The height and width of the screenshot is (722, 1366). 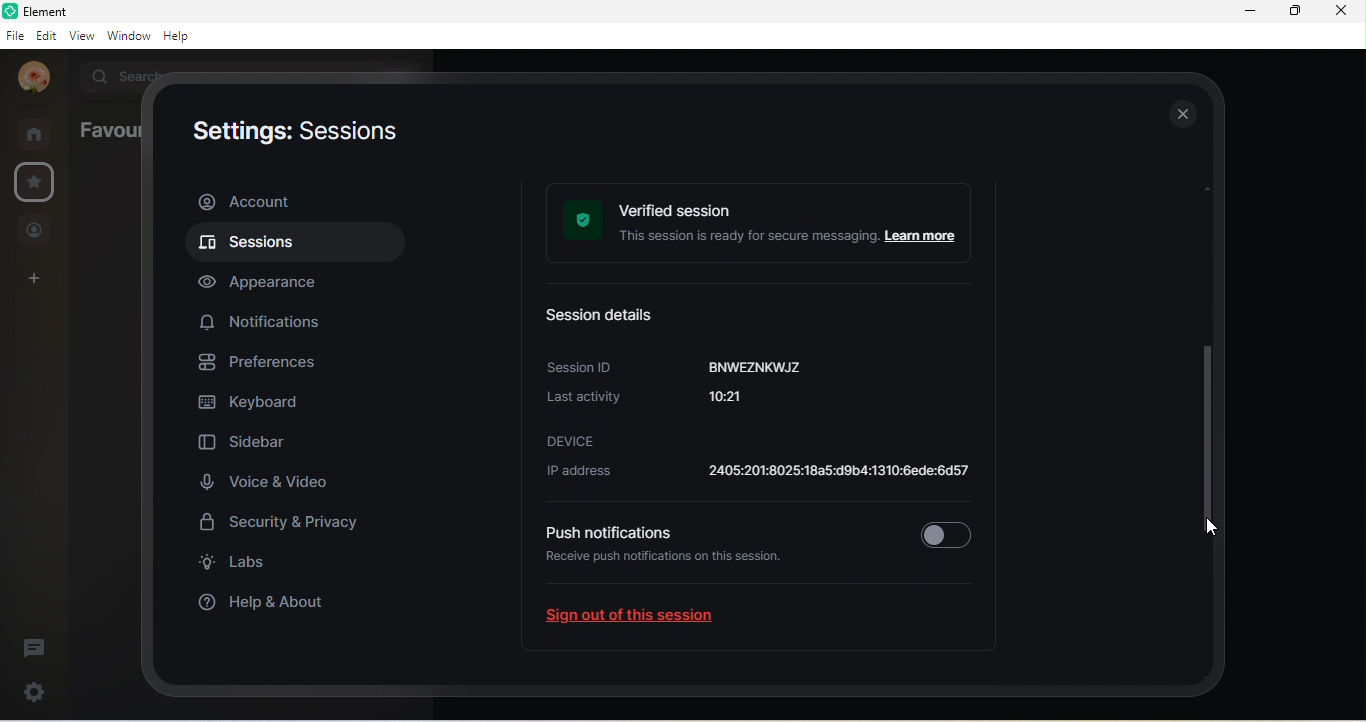 I want to click on device, so click(x=572, y=440).